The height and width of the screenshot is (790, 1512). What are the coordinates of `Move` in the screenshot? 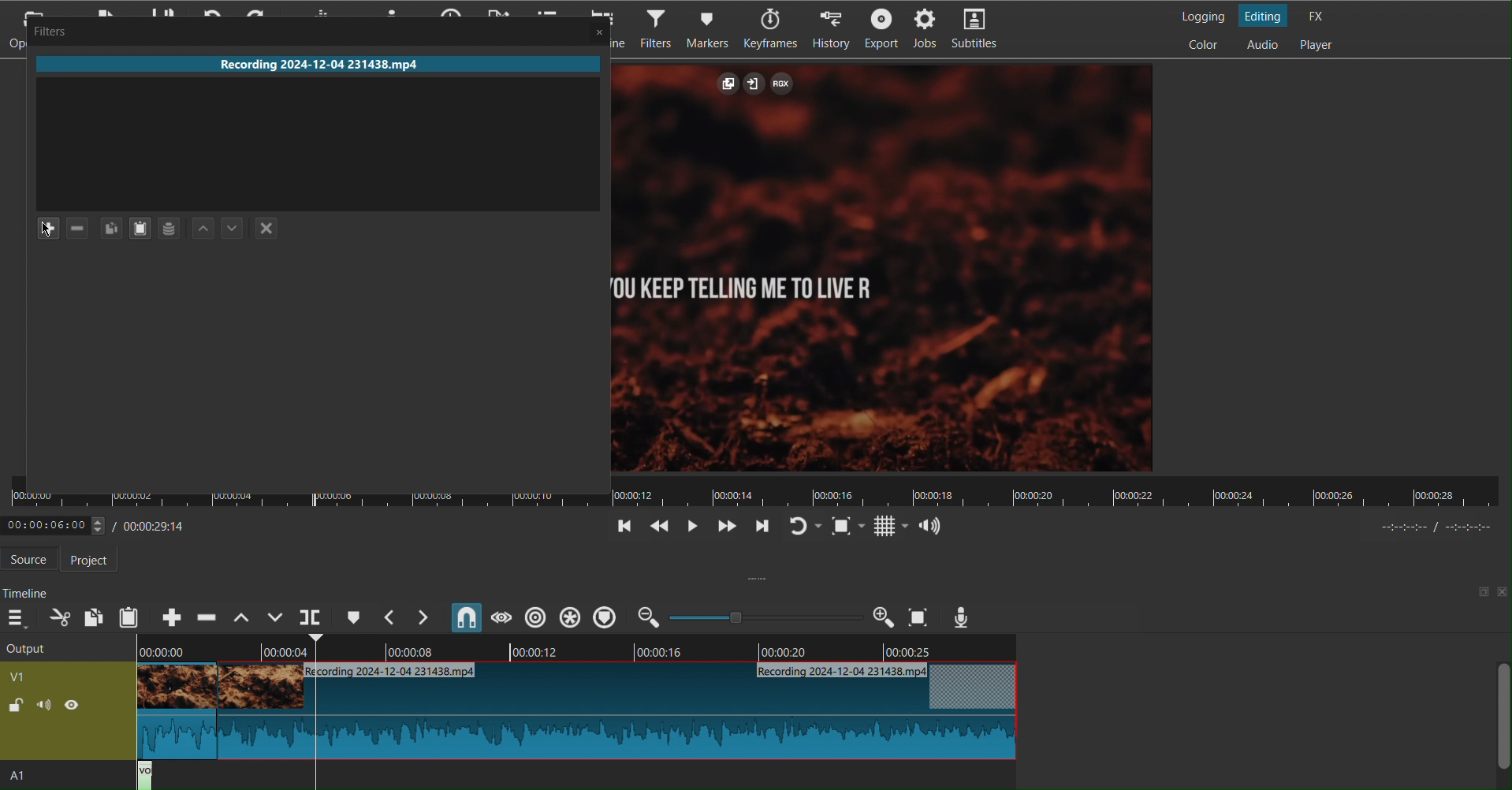 It's located at (218, 228).